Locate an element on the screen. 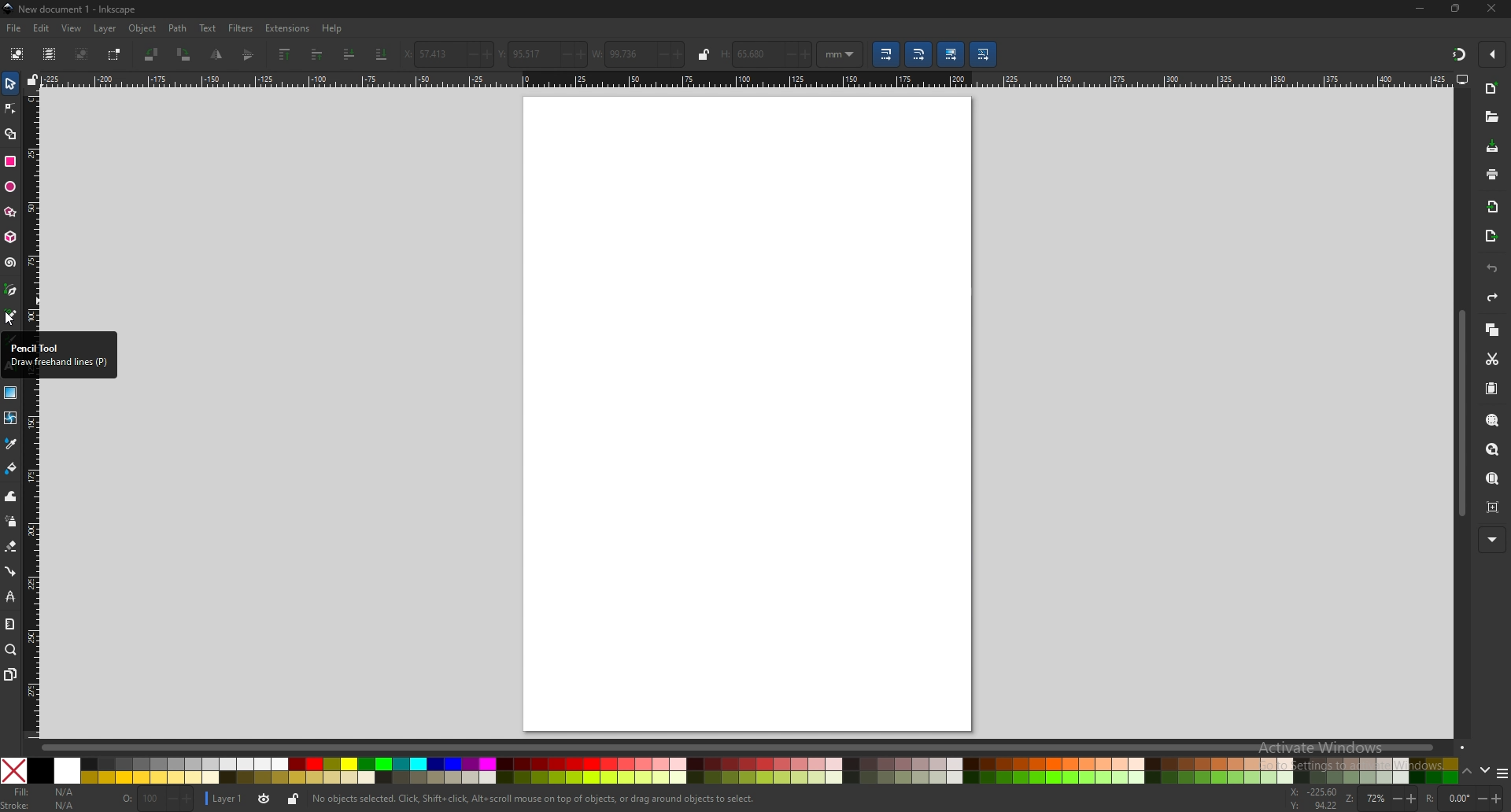  down is located at coordinates (1485, 770).